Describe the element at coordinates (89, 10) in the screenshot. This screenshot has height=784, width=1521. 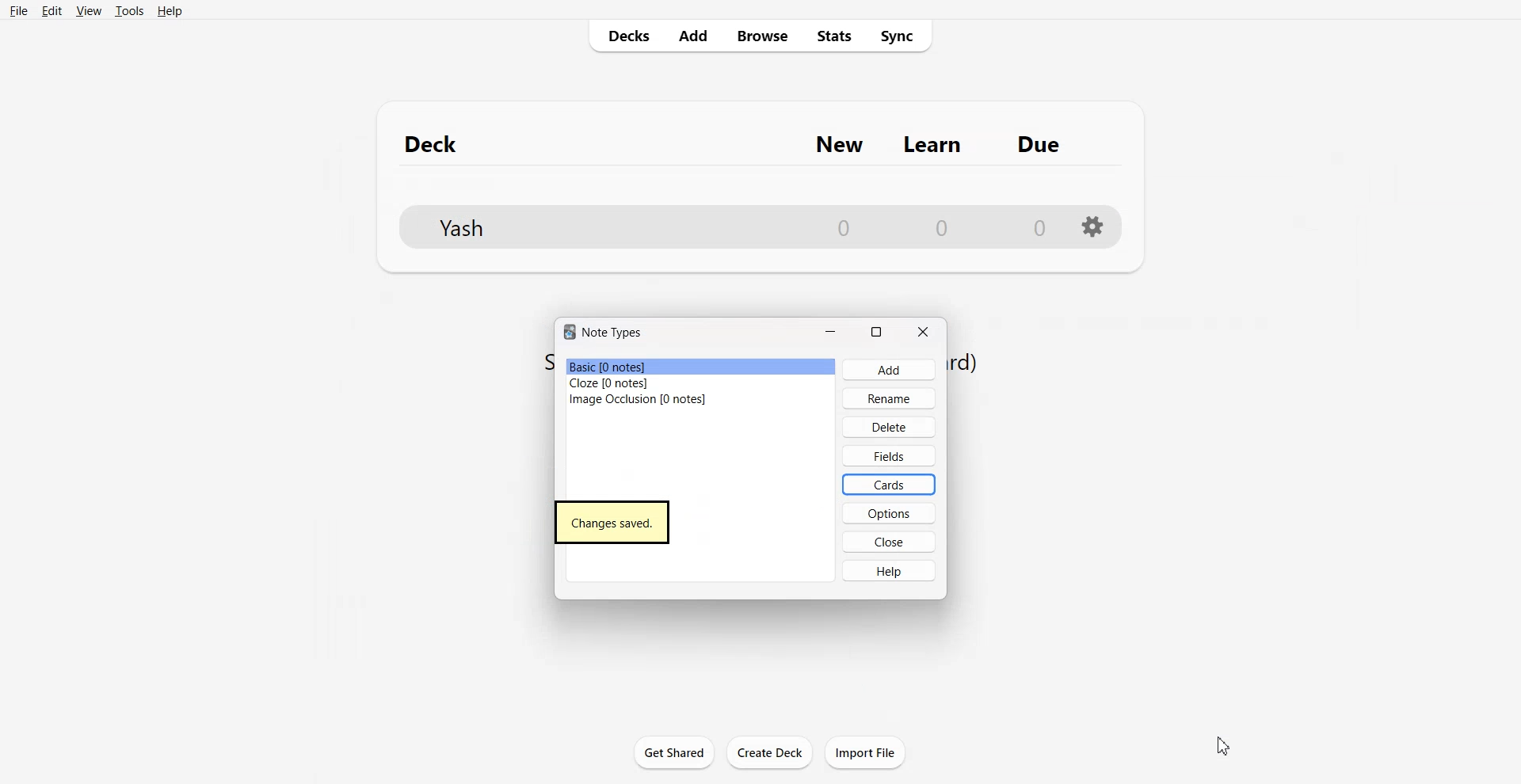
I see `View` at that location.